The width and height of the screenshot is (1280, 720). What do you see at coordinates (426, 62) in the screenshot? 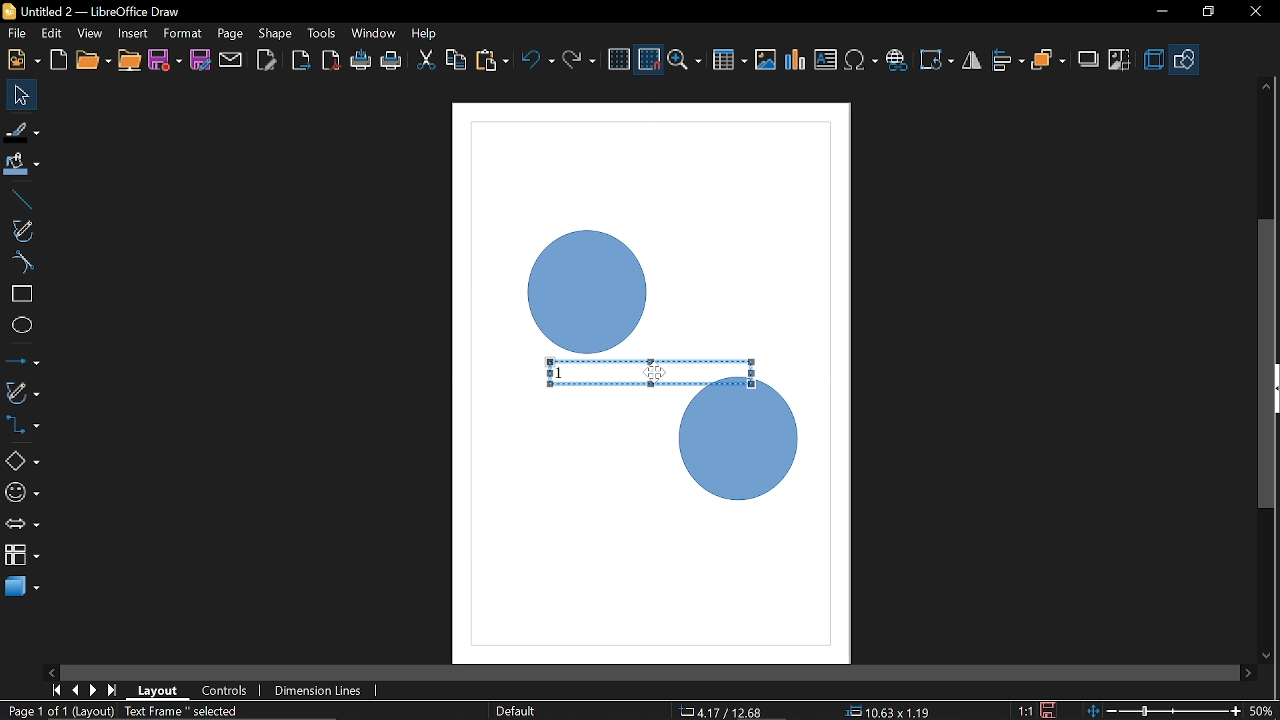
I see `Cut` at bounding box center [426, 62].